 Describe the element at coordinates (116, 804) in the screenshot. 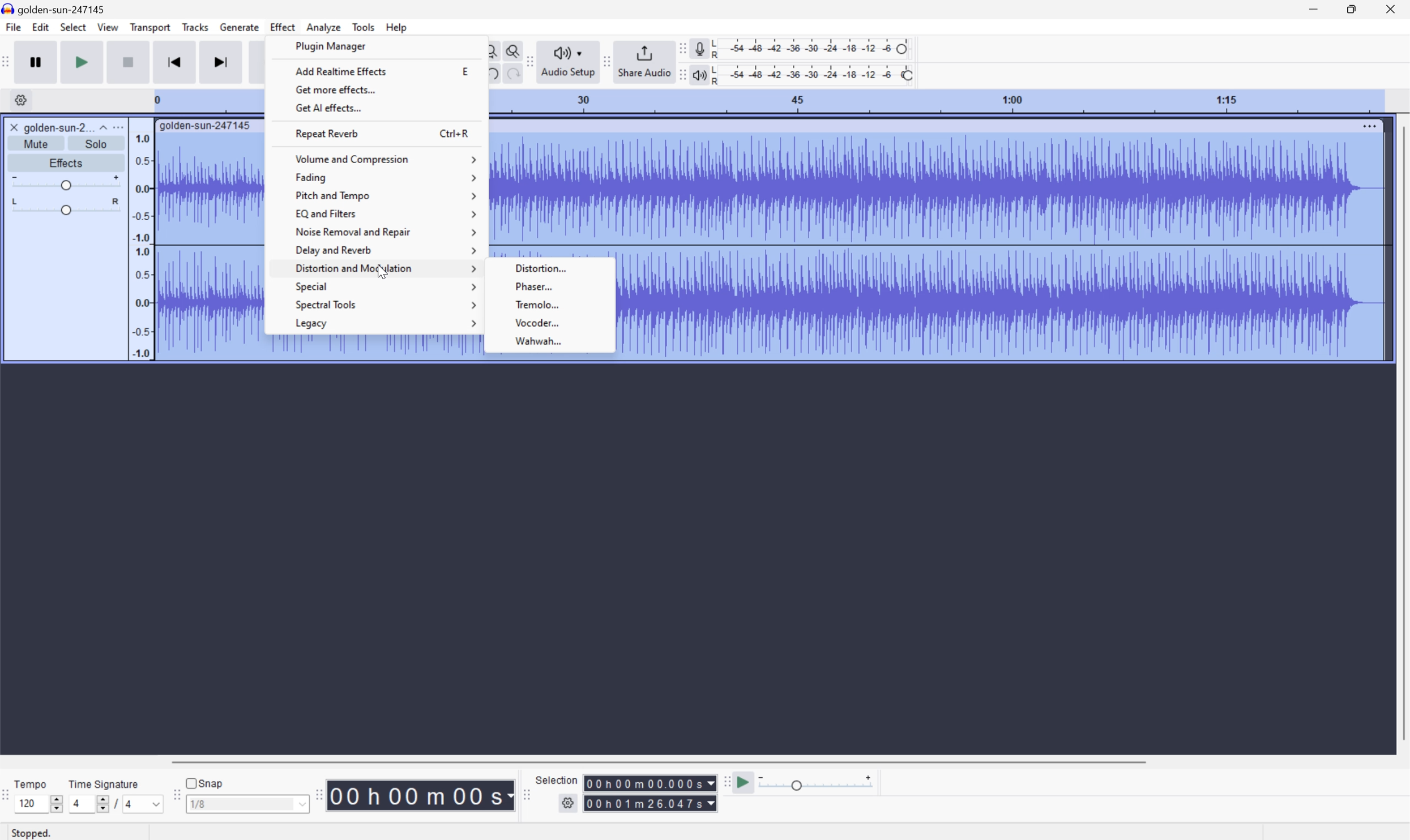

I see `/` at that location.